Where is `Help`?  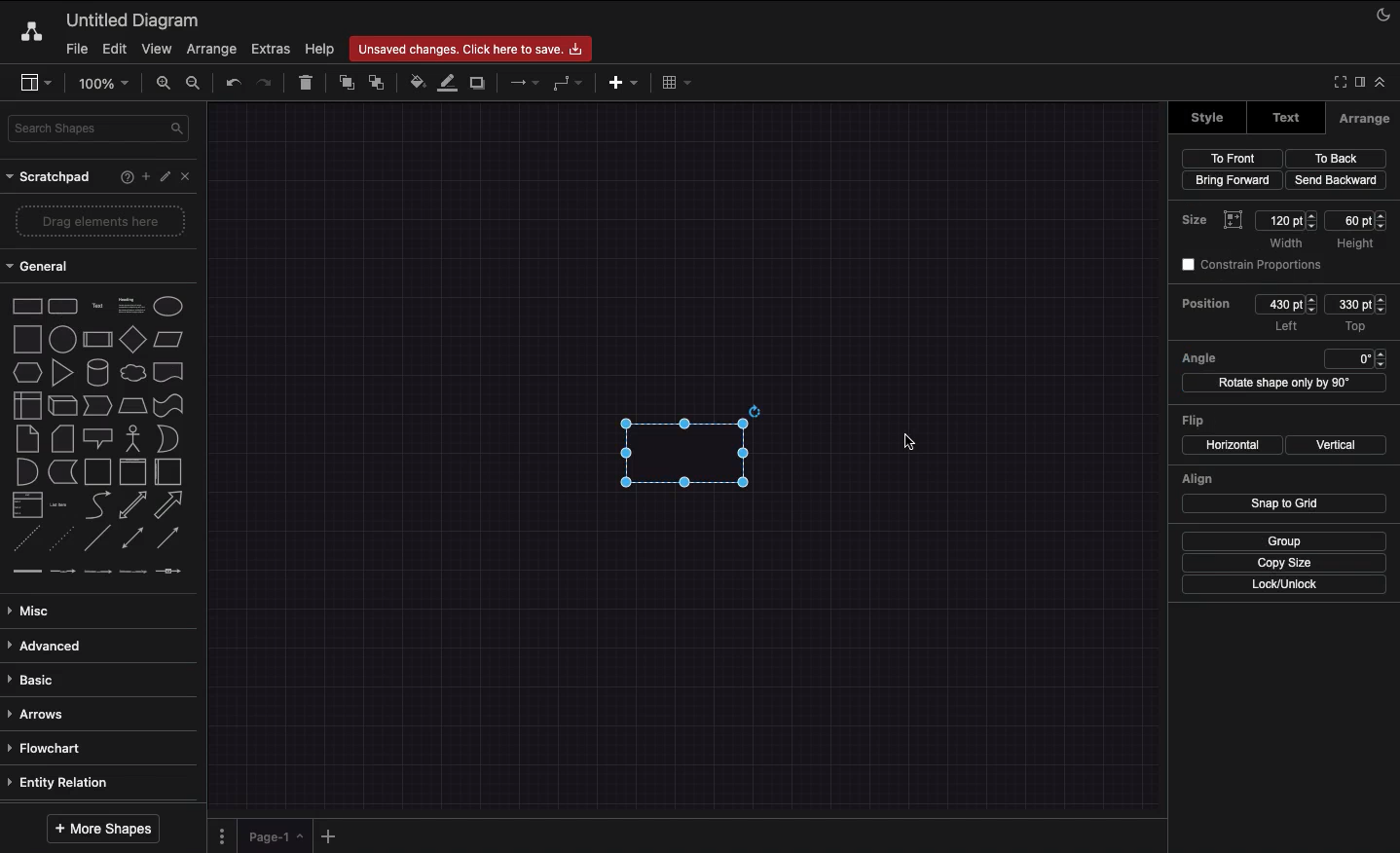
Help is located at coordinates (121, 180).